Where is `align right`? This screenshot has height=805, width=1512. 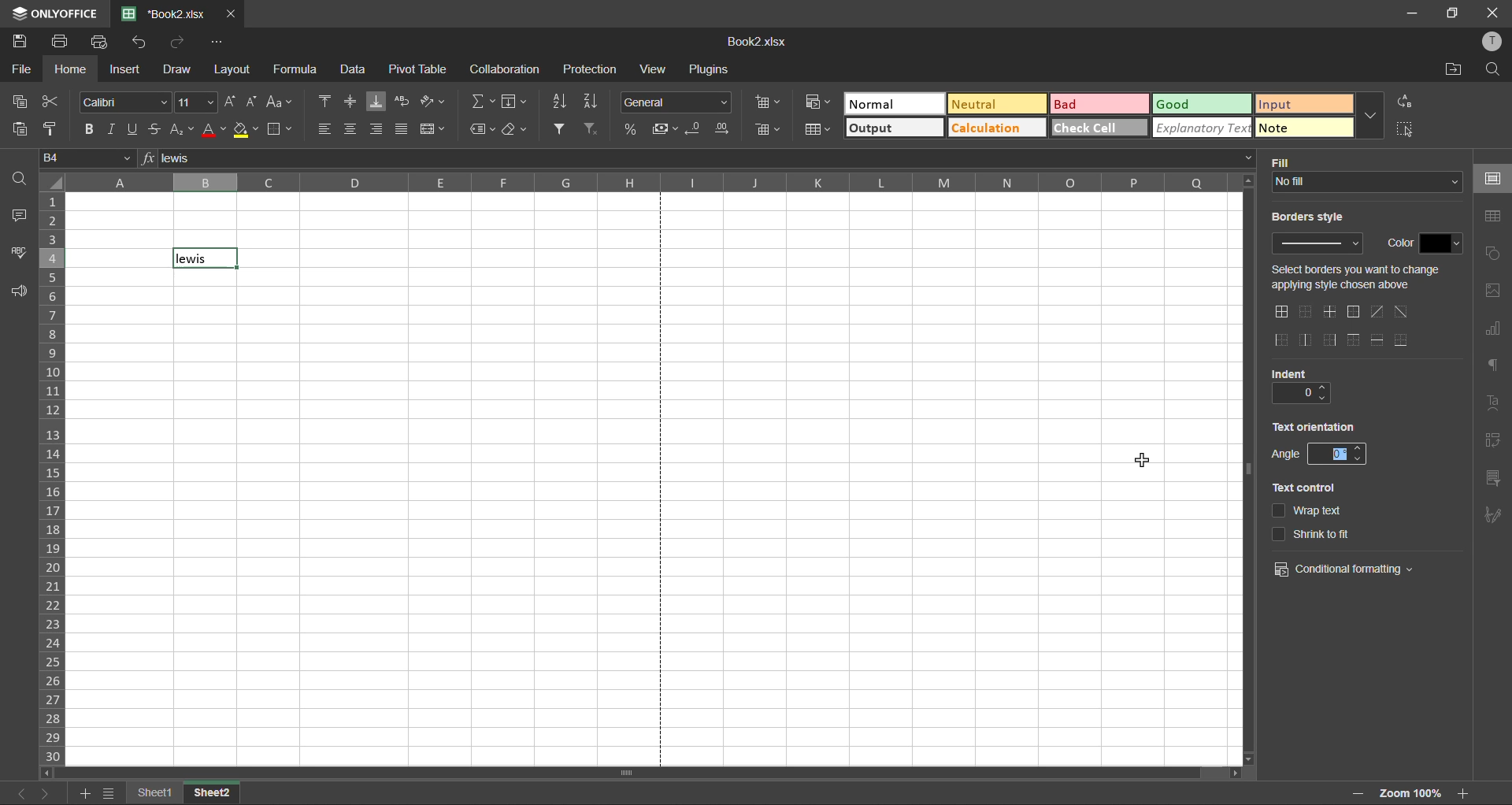 align right is located at coordinates (374, 128).